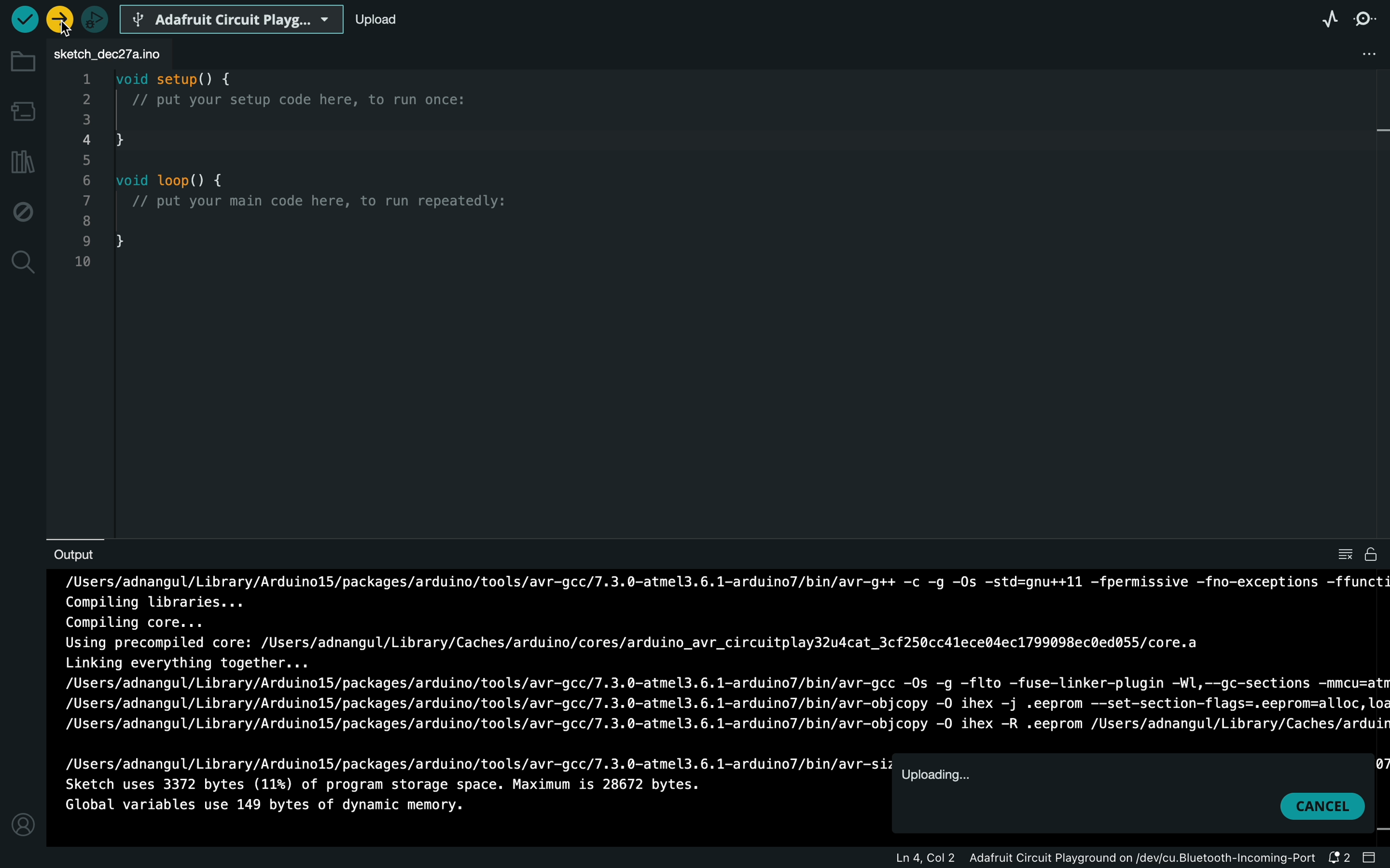 Image resolution: width=1390 pixels, height=868 pixels. I want to click on selected, so click(57, 19).